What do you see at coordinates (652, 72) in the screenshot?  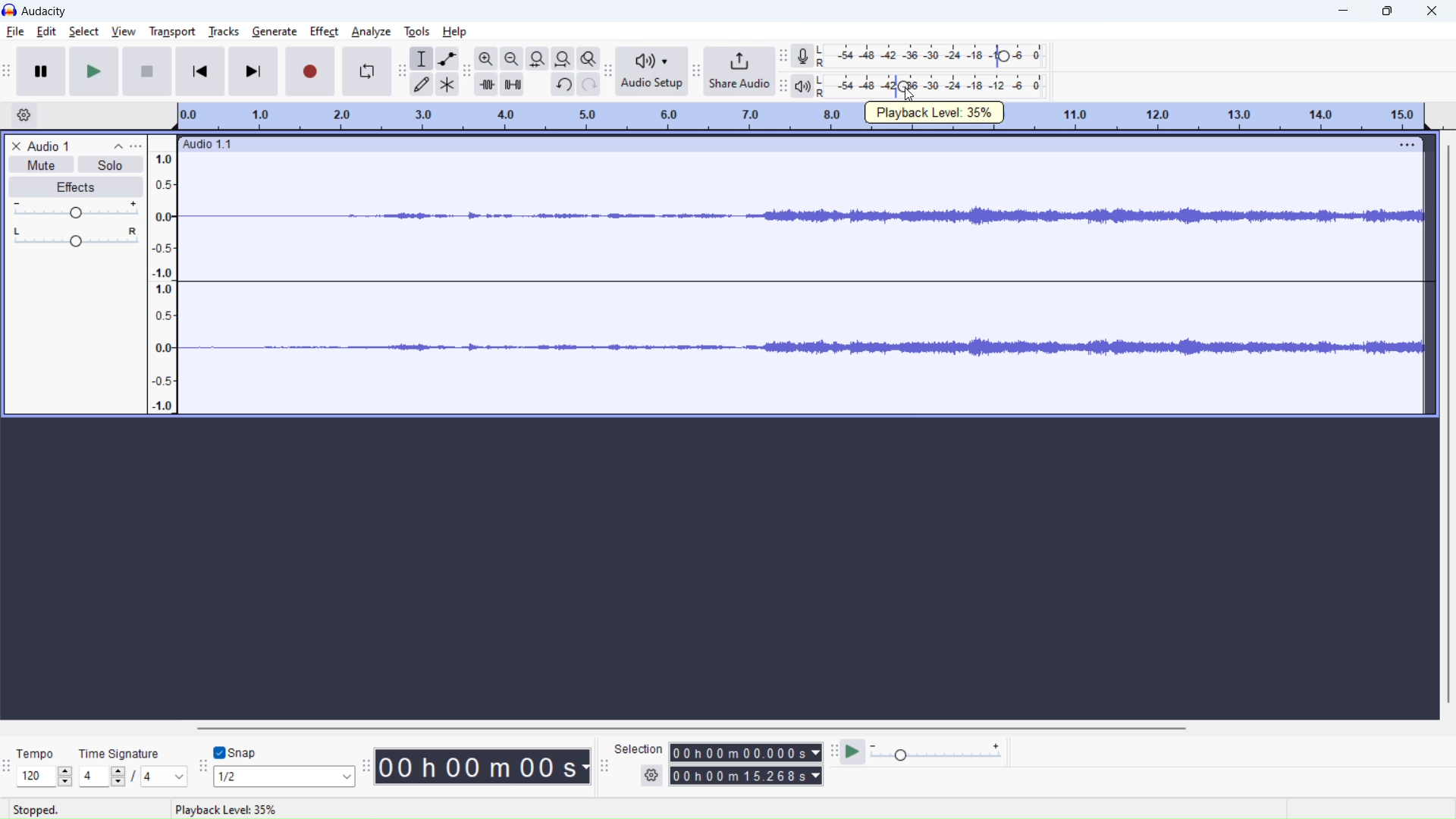 I see `audio setup` at bounding box center [652, 72].